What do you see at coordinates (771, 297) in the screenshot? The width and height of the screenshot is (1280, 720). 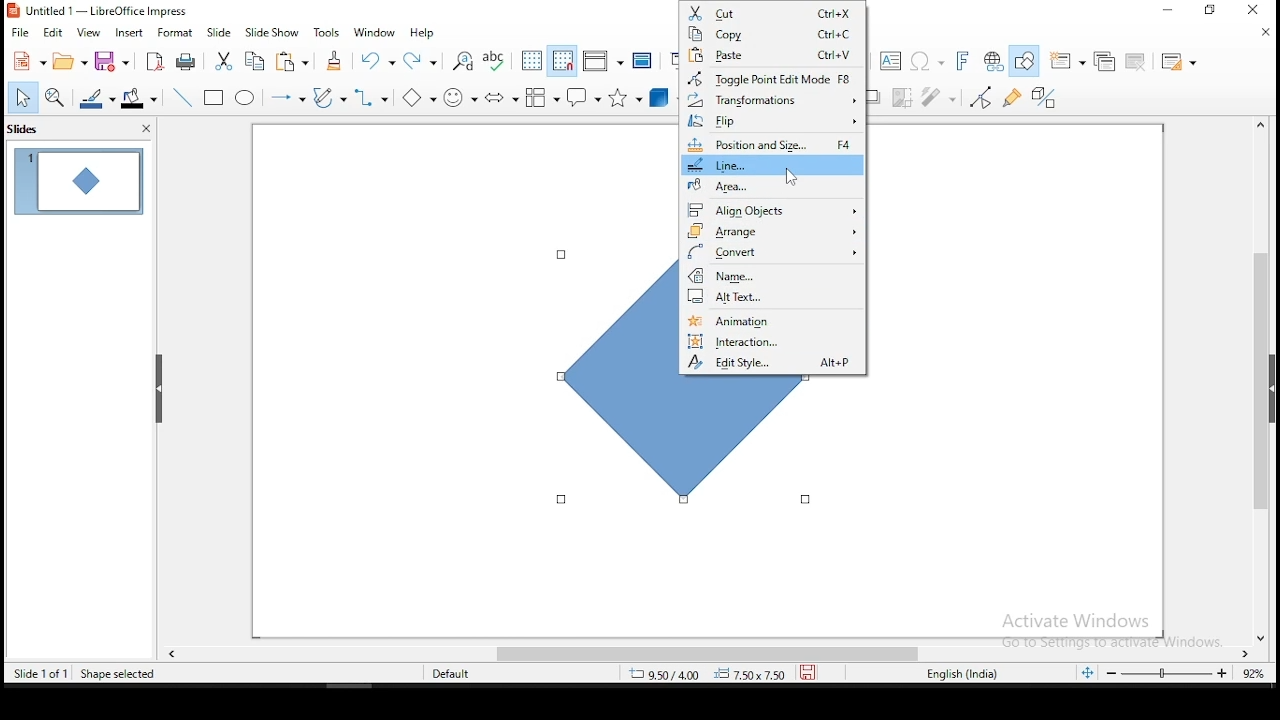 I see `alt text` at bounding box center [771, 297].